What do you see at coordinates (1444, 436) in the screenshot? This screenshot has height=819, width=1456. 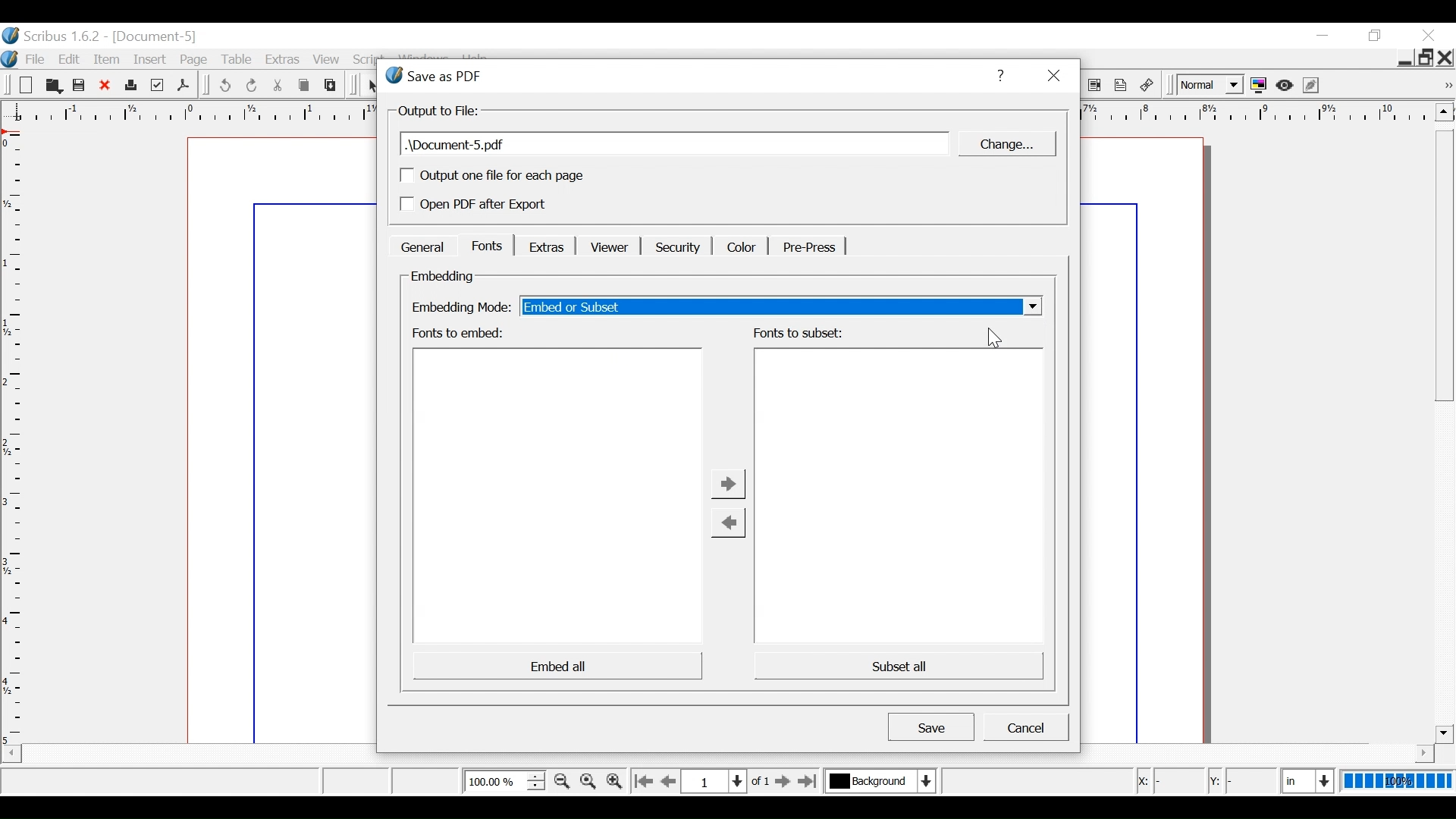 I see `Vertical Scroll bar` at bounding box center [1444, 436].